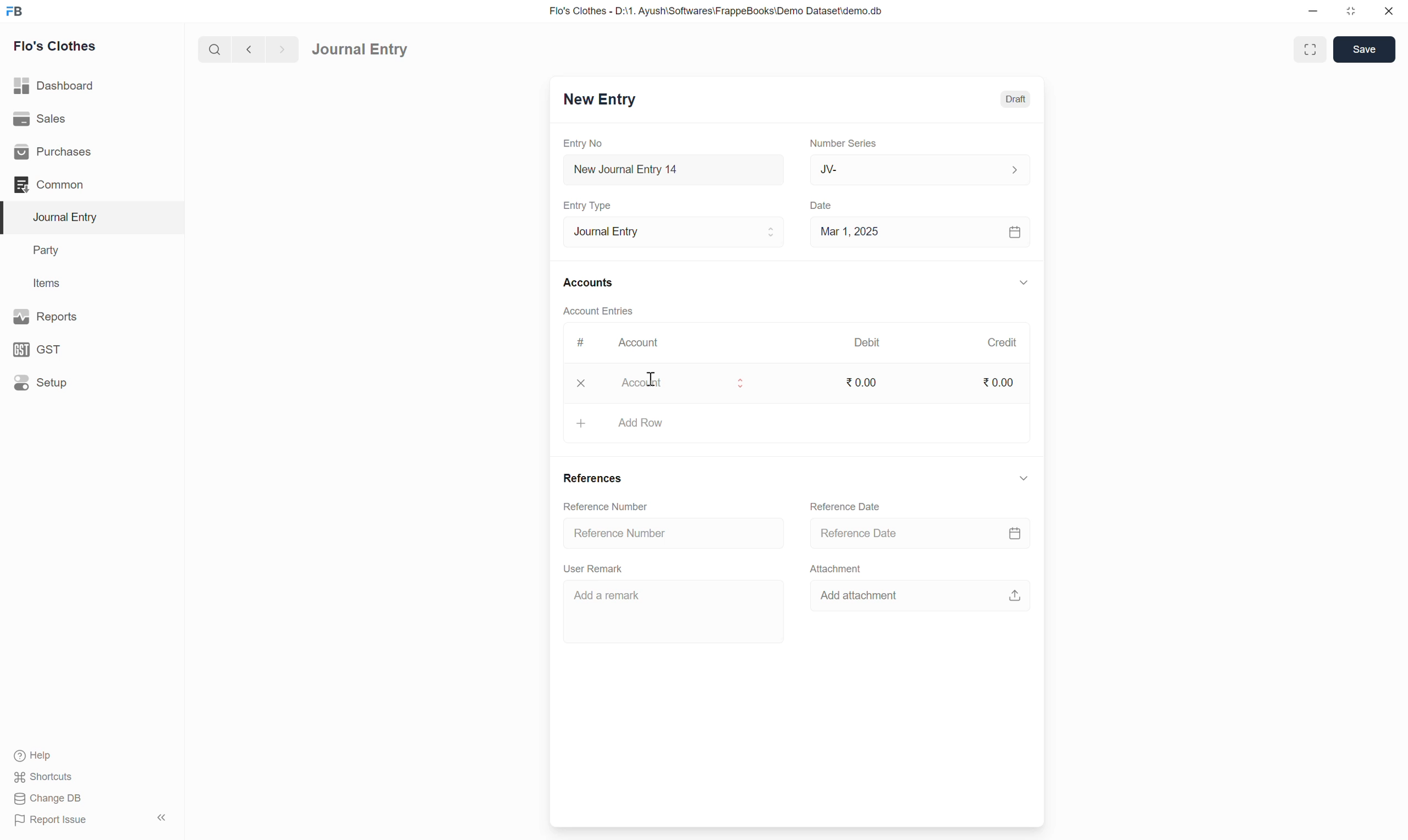  What do you see at coordinates (1002, 342) in the screenshot?
I see `Credit` at bounding box center [1002, 342].